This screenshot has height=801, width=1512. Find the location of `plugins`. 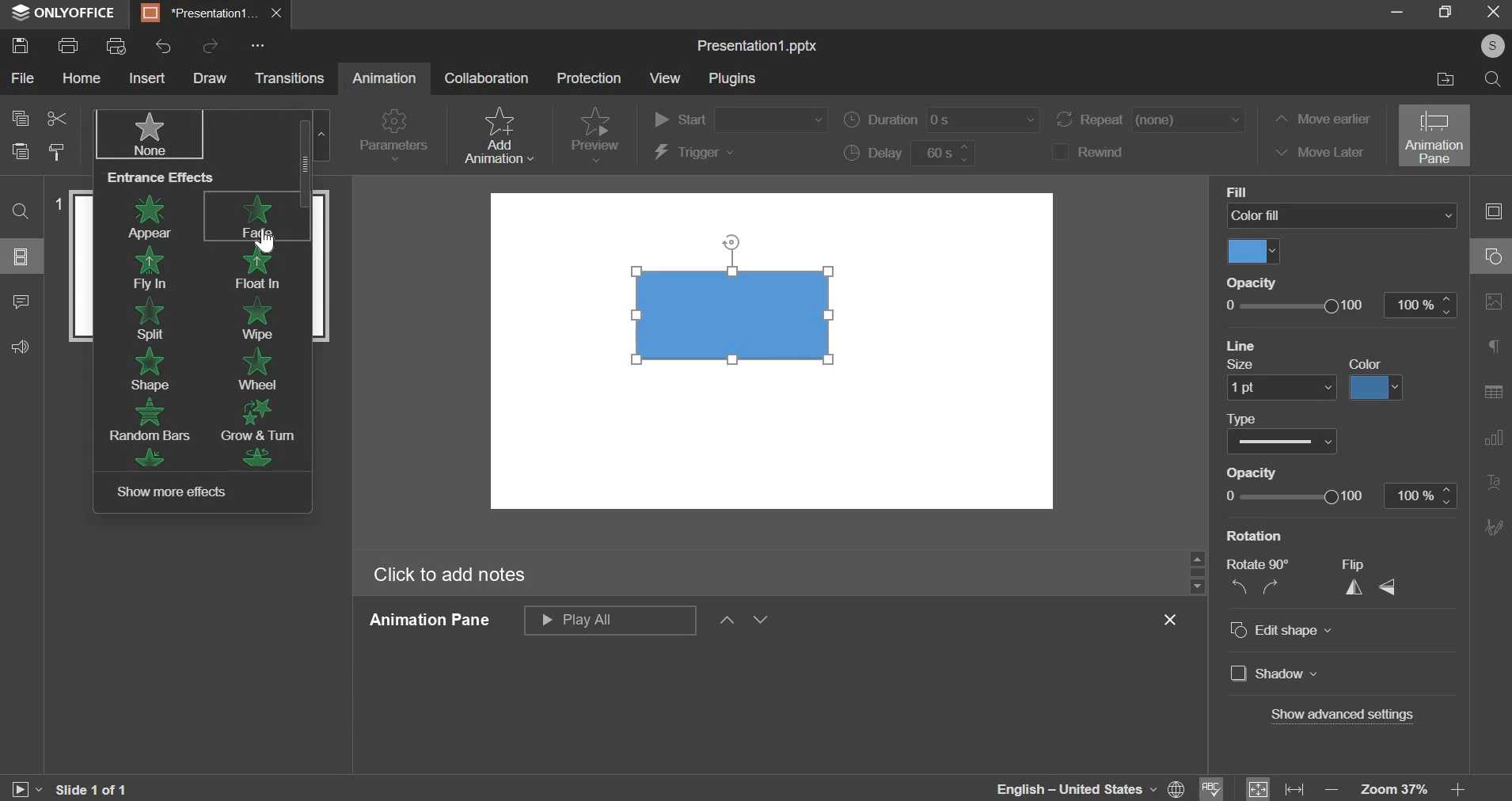

plugins is located at coordinates (732, 77).